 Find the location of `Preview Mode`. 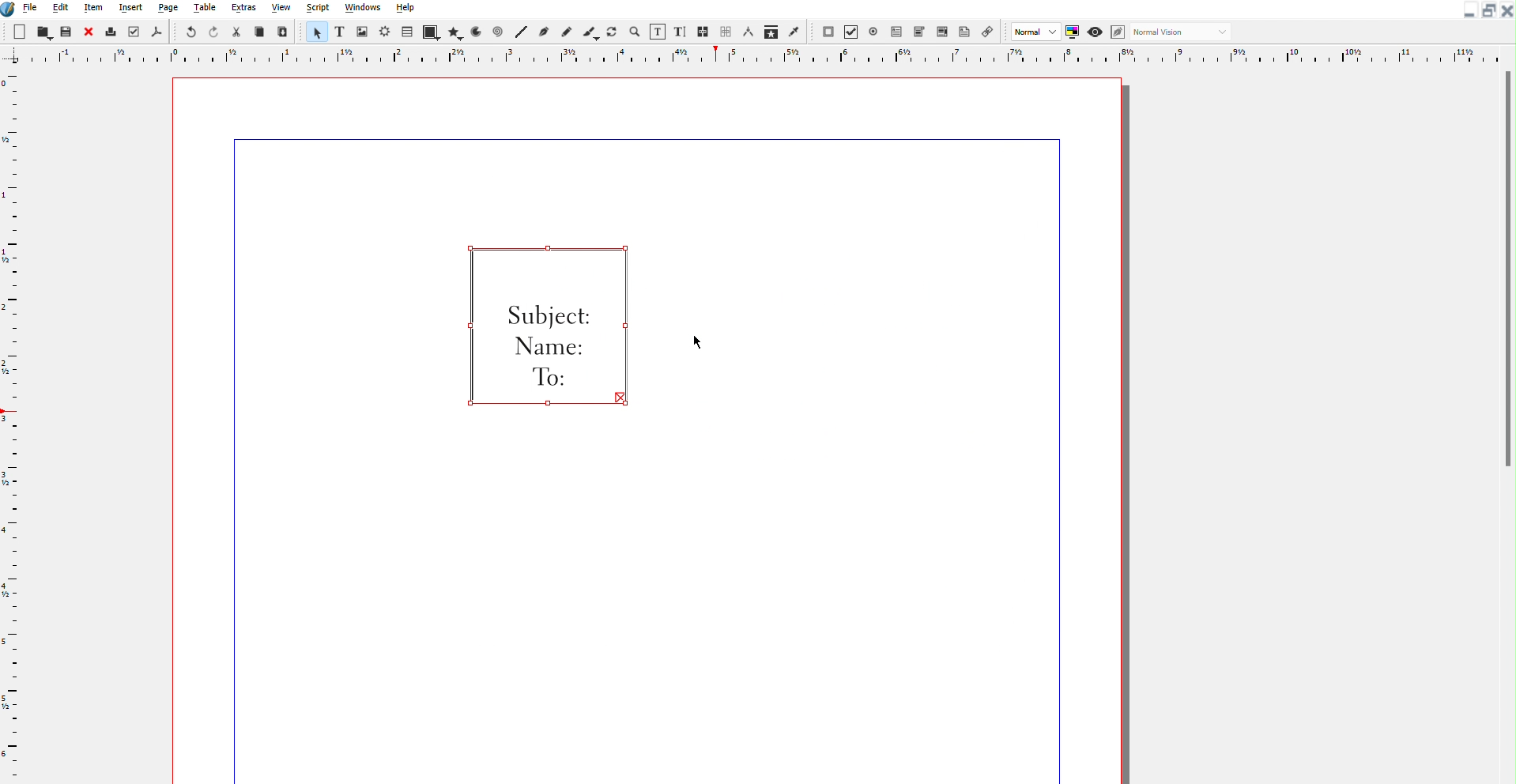

Preview Mode is located at coordinates (1095, 32).